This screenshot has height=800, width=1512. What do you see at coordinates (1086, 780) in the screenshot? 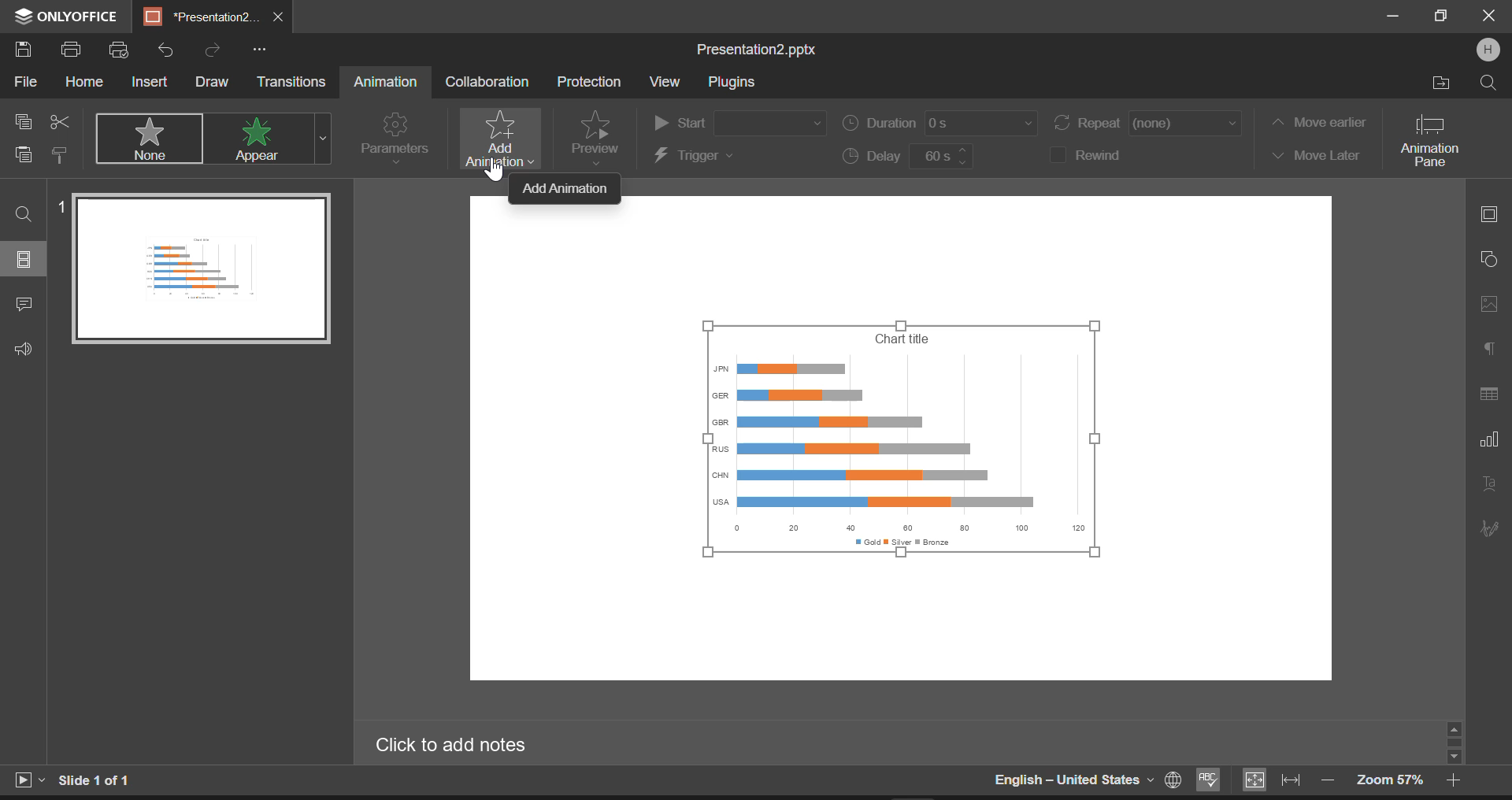
I see `English-United States` at bounding box center [1086, 780].